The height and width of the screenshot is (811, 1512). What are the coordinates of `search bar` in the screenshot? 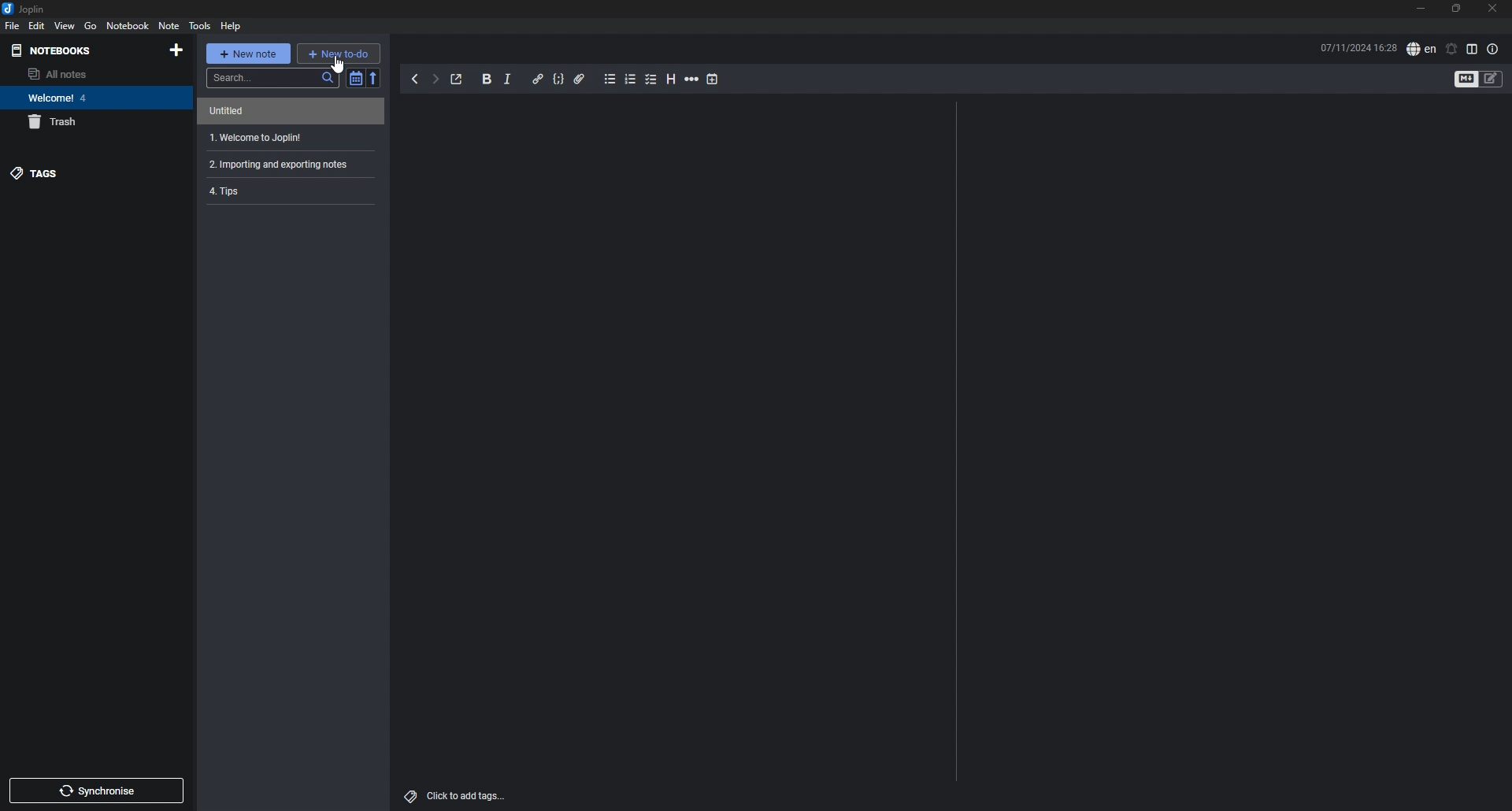 It's located at (272, 78).